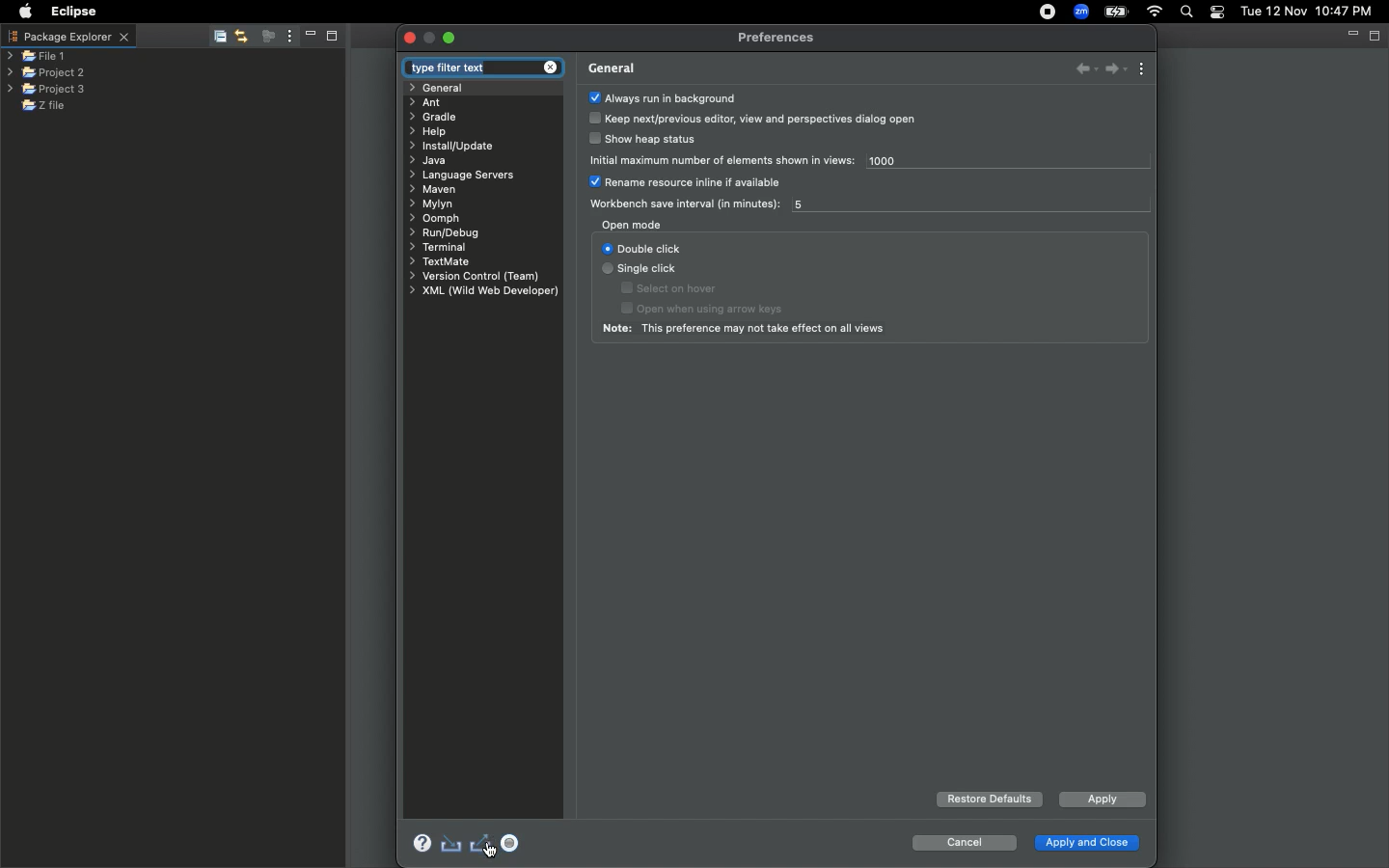 The image size is (1389, 868). I want to click on Notification bar, so click(1216, 14).